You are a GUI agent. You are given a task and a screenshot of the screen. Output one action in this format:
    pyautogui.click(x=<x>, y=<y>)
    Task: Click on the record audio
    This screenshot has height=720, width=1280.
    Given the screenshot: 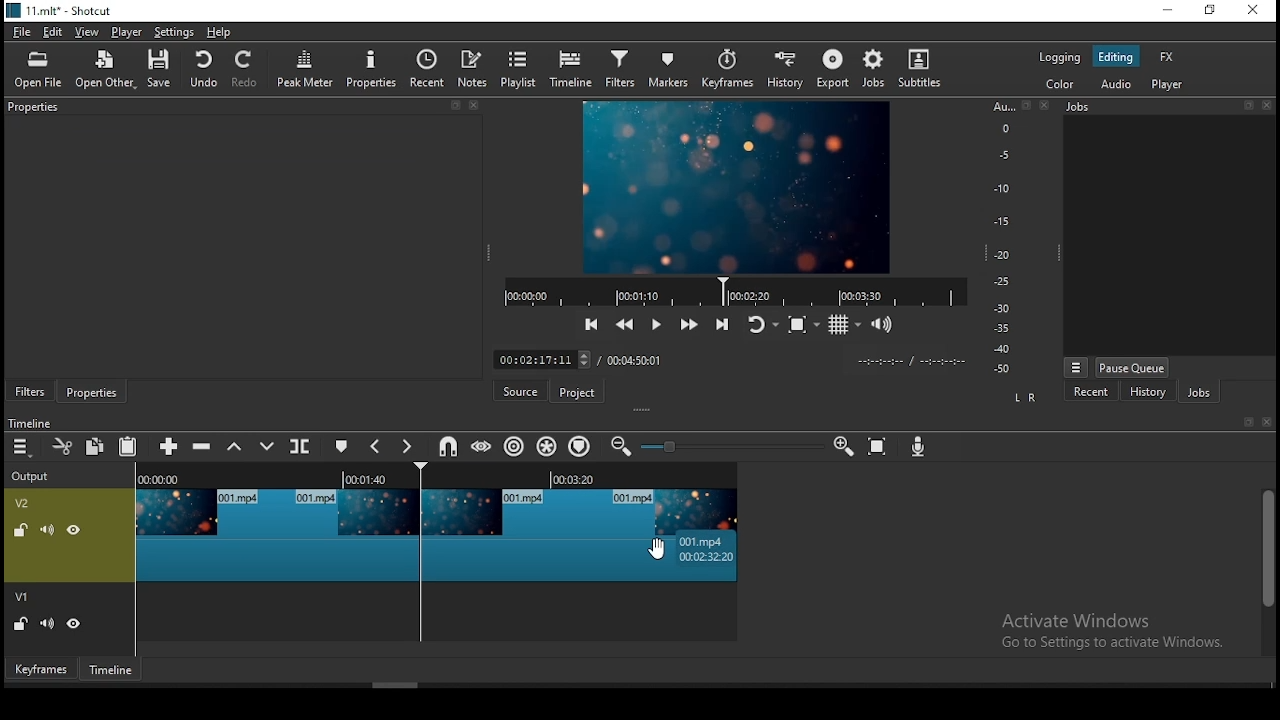 What is the action you would take?
    pyautogui.click(x=920, y=448)
    